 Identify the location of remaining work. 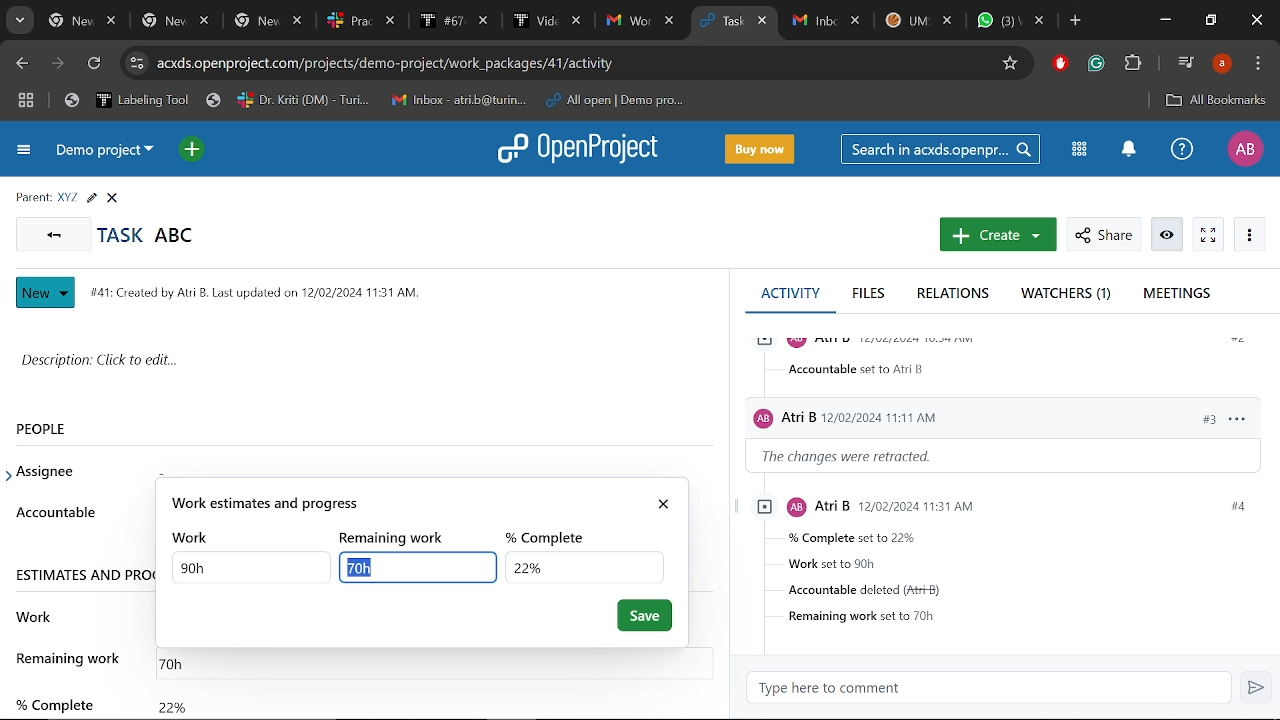
(399, 537).